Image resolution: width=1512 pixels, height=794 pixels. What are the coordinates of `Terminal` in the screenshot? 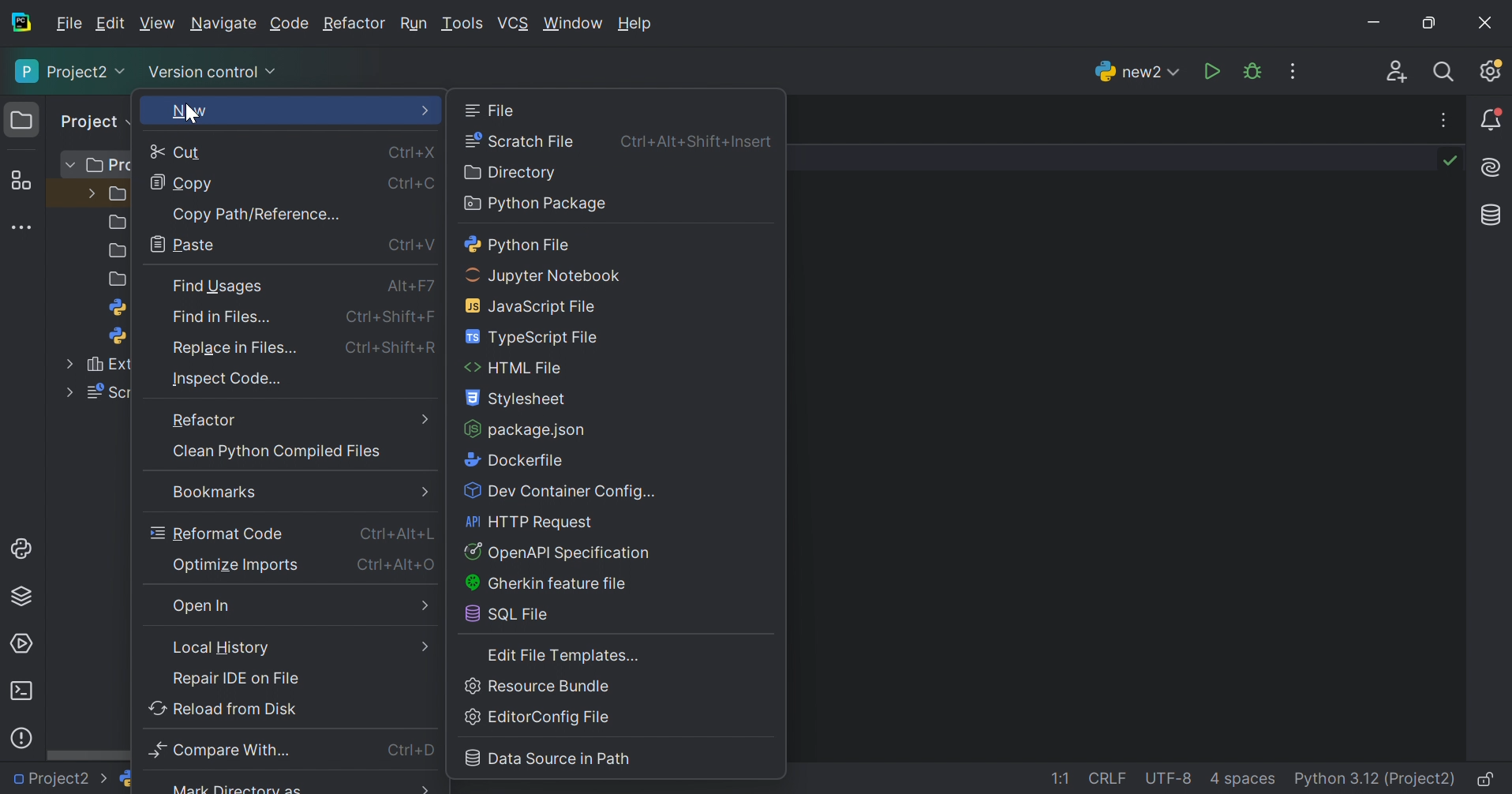 It's located at (22, 691).